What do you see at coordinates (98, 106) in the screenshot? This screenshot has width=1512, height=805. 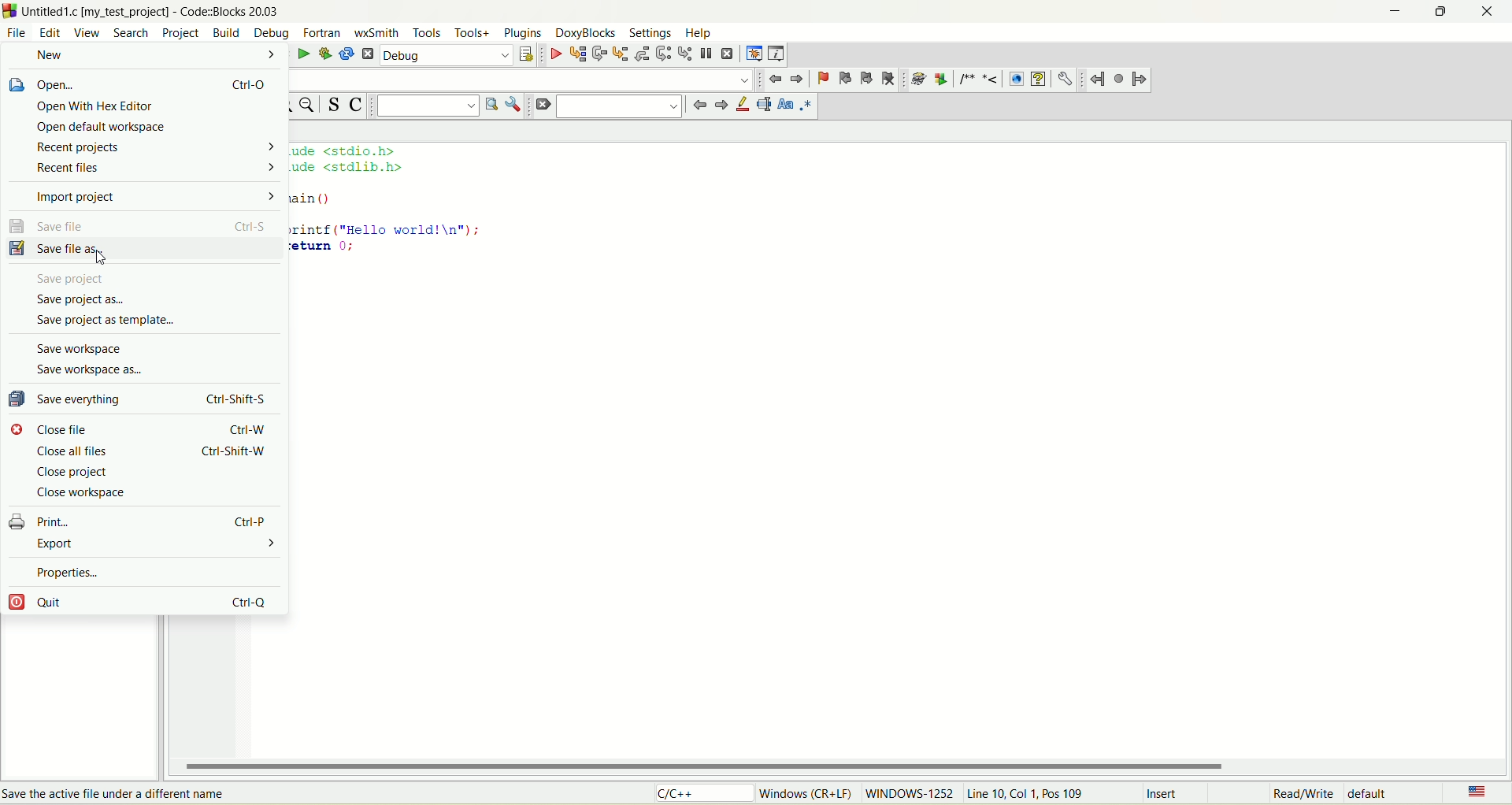 I see `open with hex editor` at bounding box center [98, 106].